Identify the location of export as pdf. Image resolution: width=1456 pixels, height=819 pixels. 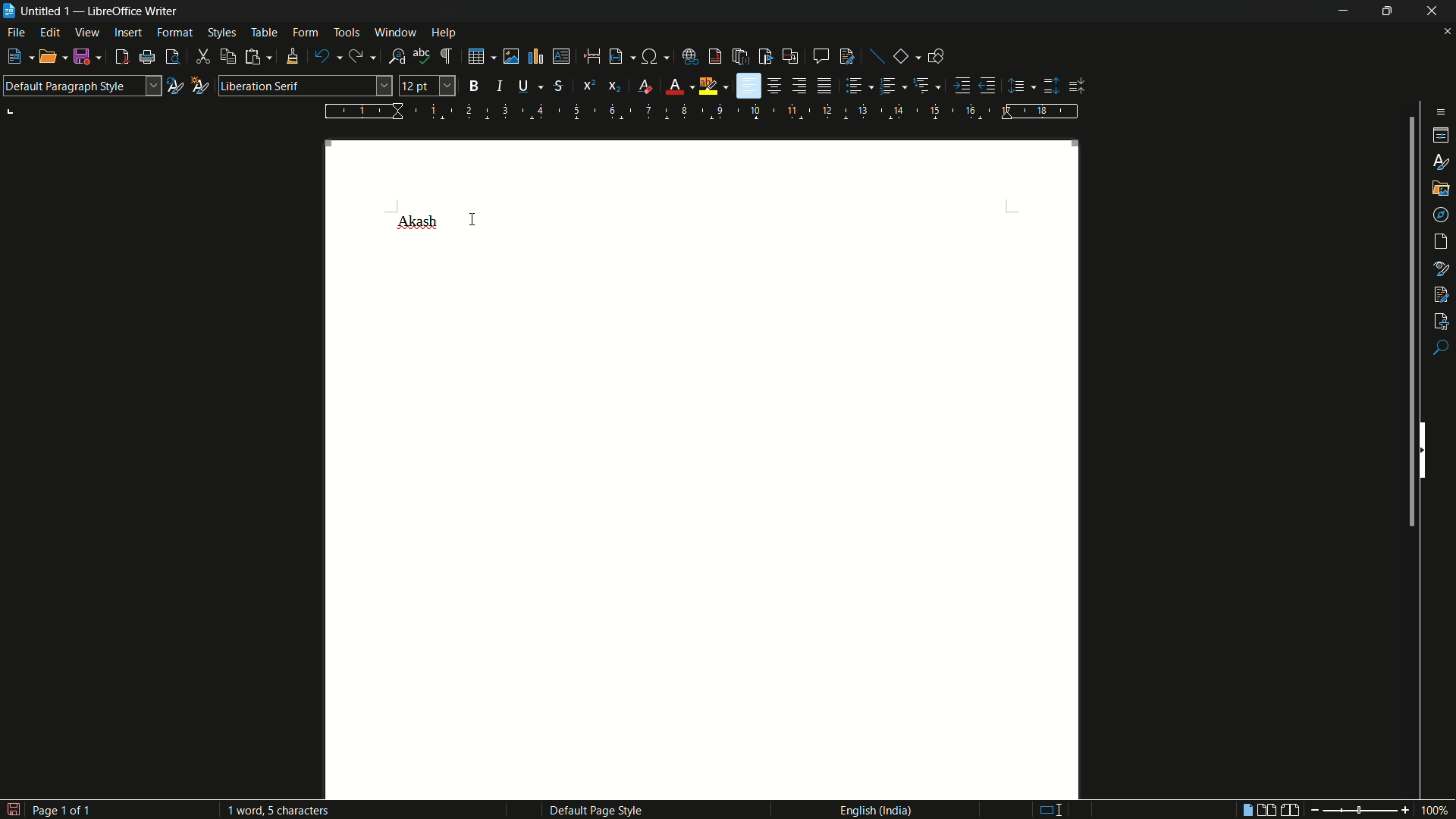
(121, 58).